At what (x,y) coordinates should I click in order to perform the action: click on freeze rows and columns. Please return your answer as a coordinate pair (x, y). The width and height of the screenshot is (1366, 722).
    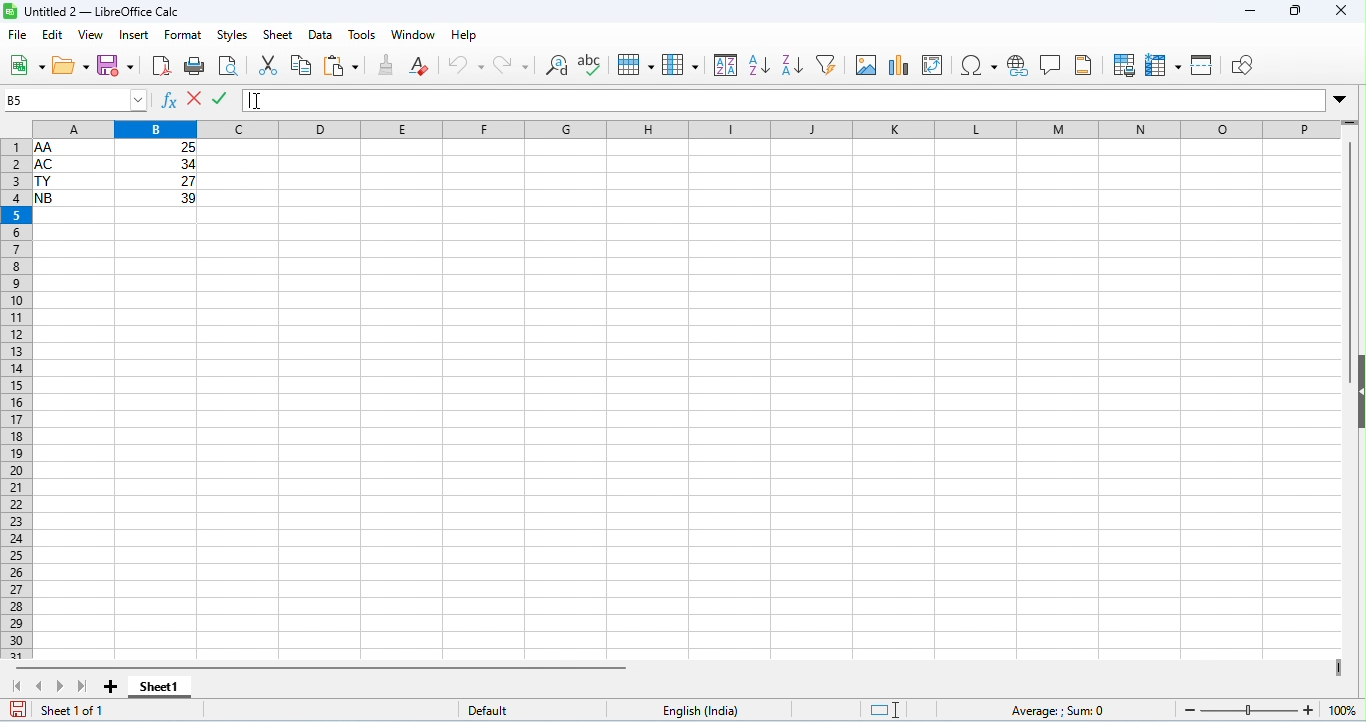
    Looking at the image, I should click on (1164, 66).